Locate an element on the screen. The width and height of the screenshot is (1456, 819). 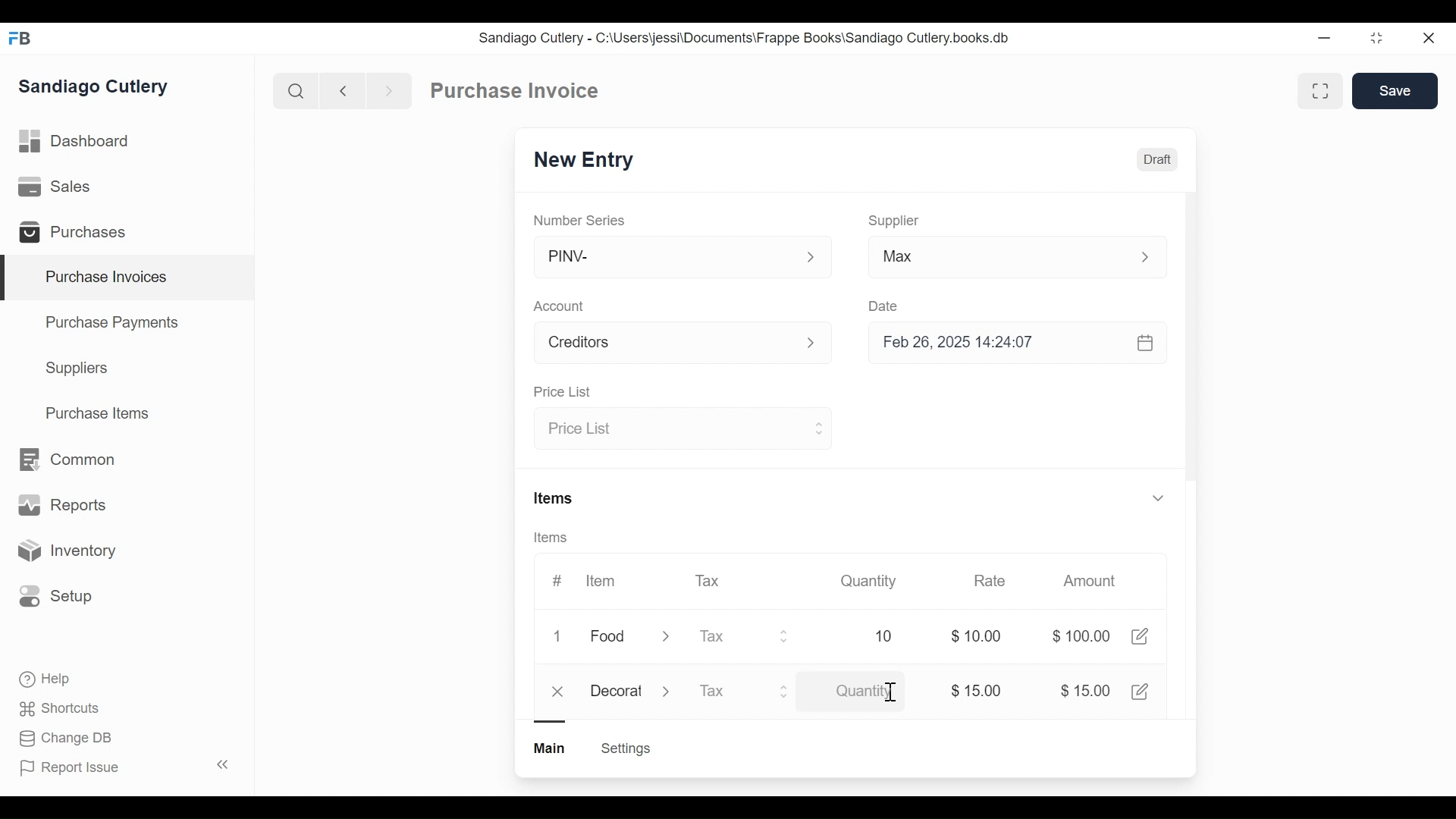
Minimize is located at coordinates (1321, 39).